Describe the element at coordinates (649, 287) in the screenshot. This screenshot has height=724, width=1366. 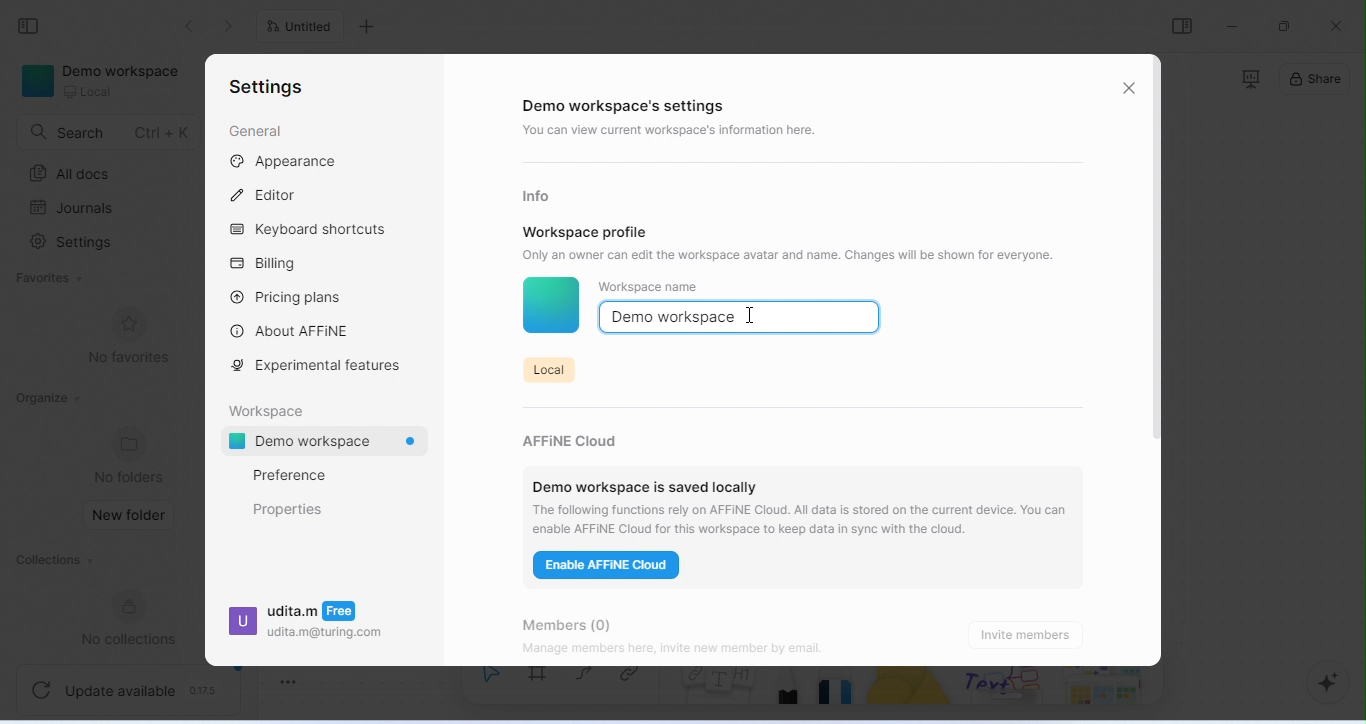
I see `workspace name` at that location.